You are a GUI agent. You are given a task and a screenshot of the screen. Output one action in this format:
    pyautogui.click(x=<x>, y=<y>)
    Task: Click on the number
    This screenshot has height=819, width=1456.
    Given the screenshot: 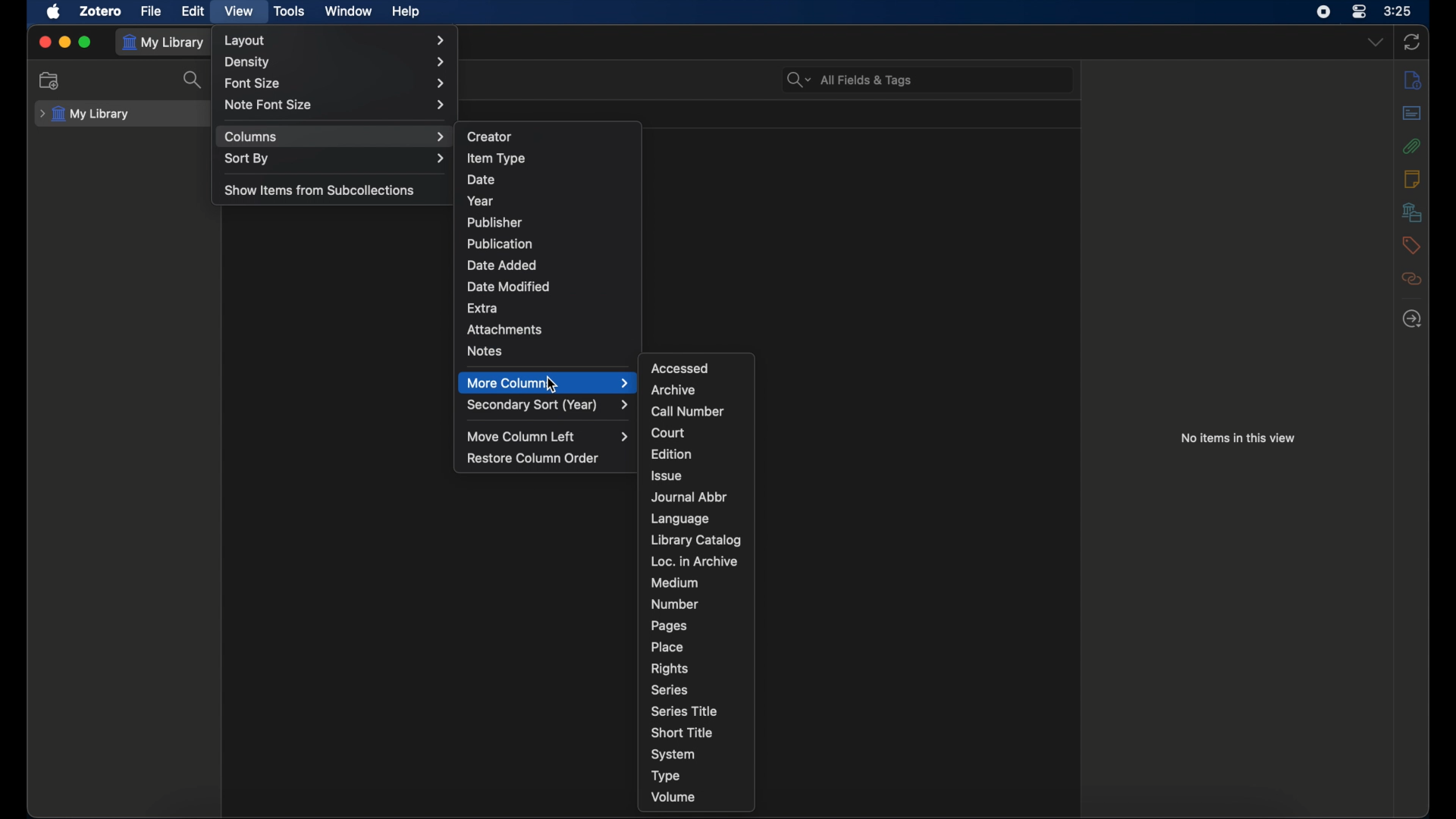 What is the action you would take?
    pyautogui.click(x=675, y=604)
    